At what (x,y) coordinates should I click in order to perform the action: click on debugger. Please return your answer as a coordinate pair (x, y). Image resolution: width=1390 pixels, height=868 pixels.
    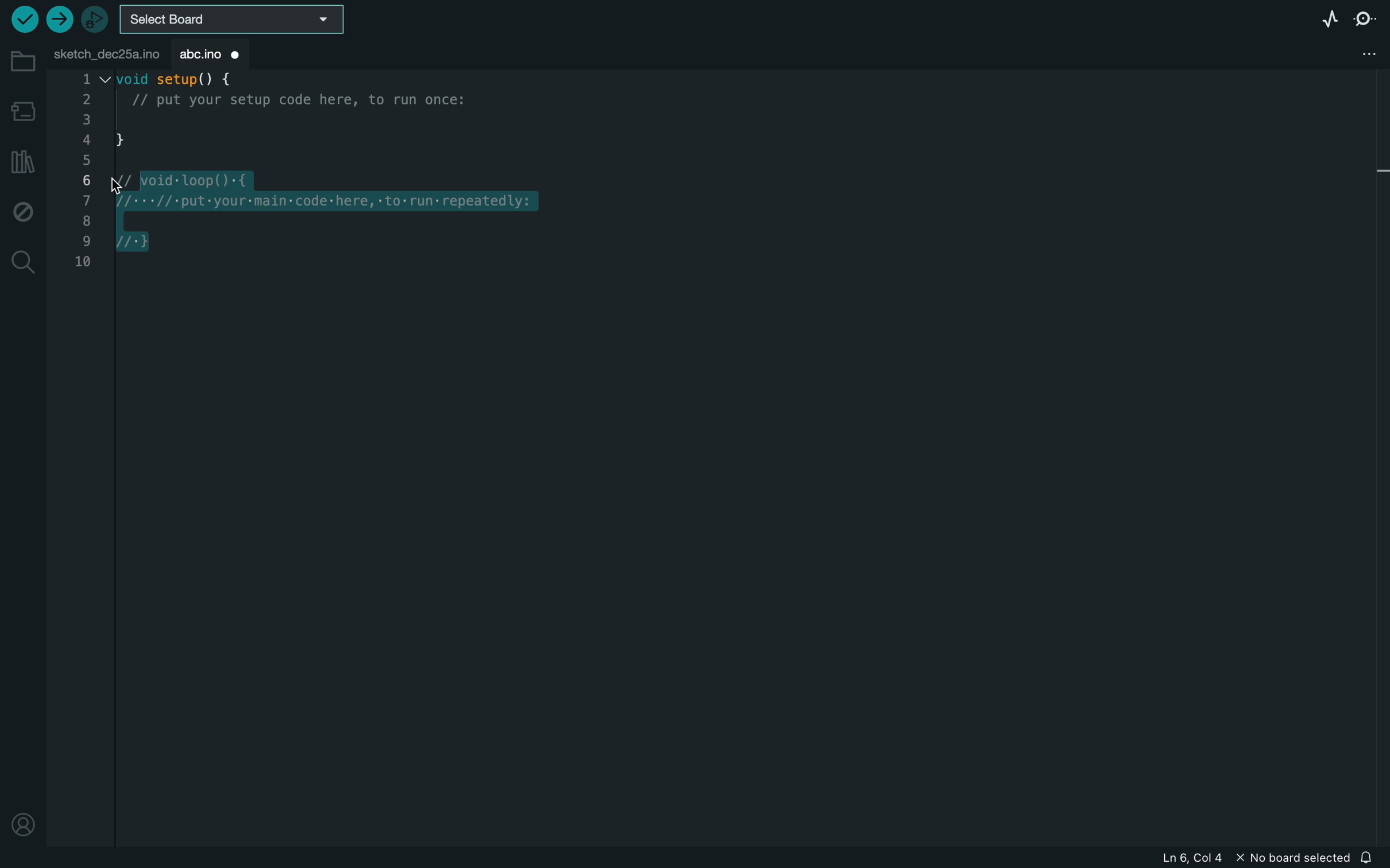
    Looking at the image, I should click on (96, 17).